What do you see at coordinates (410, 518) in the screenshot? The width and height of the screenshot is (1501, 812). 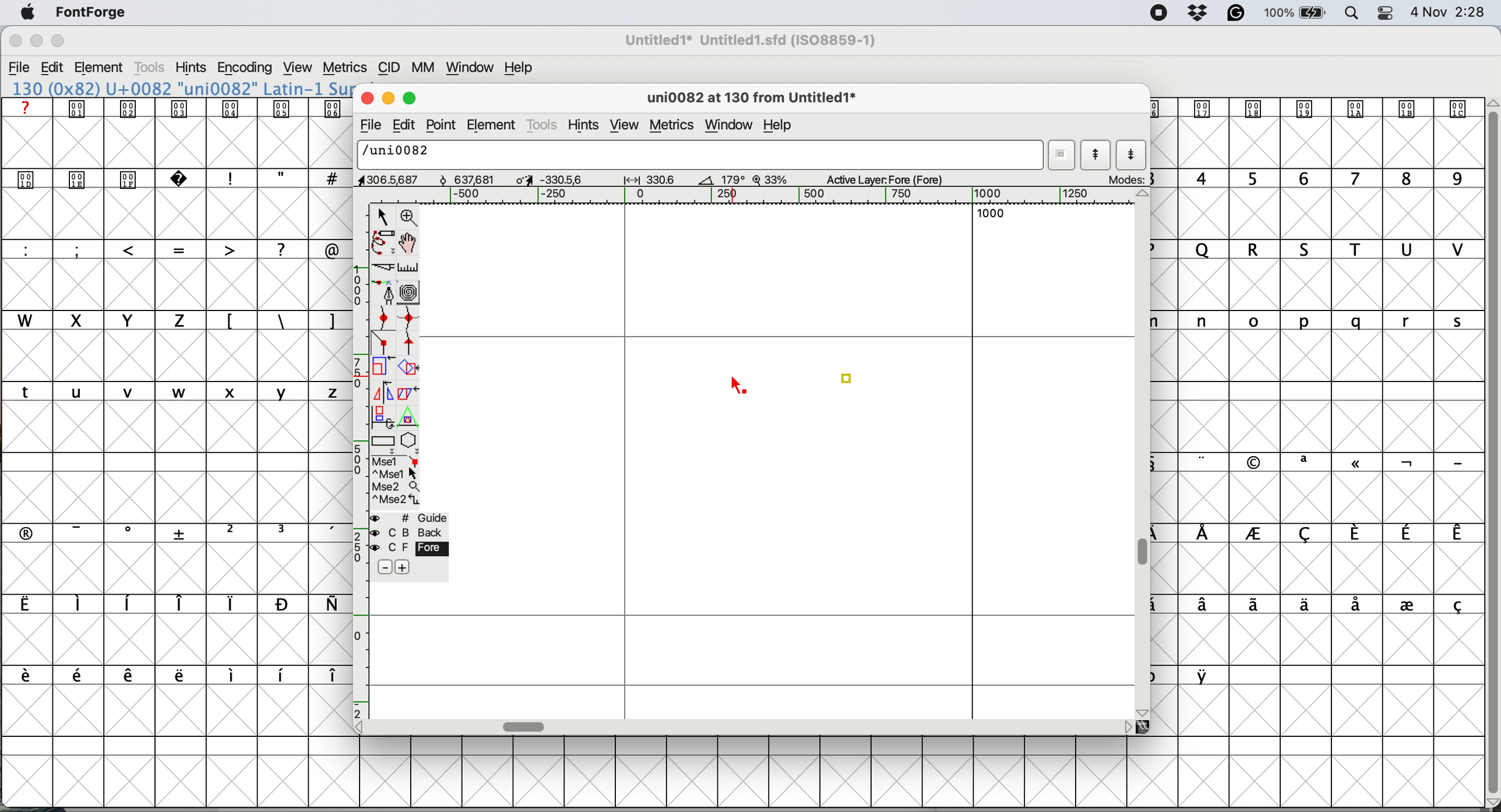 I see `guide` at bounding box center [410, 518].